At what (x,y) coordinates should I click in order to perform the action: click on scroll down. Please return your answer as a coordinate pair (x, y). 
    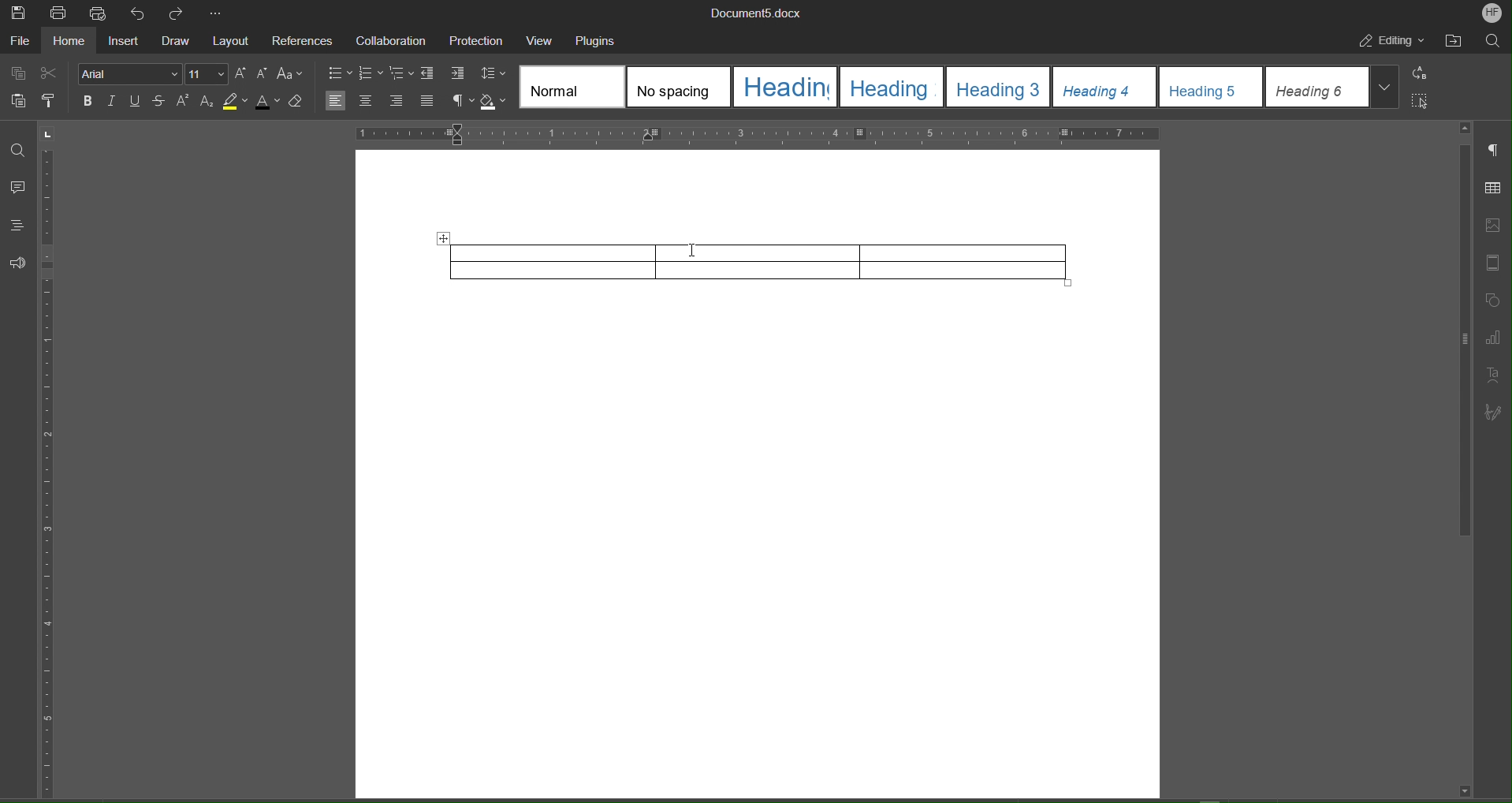
    Looking at the image, I should click on (1464, 790).